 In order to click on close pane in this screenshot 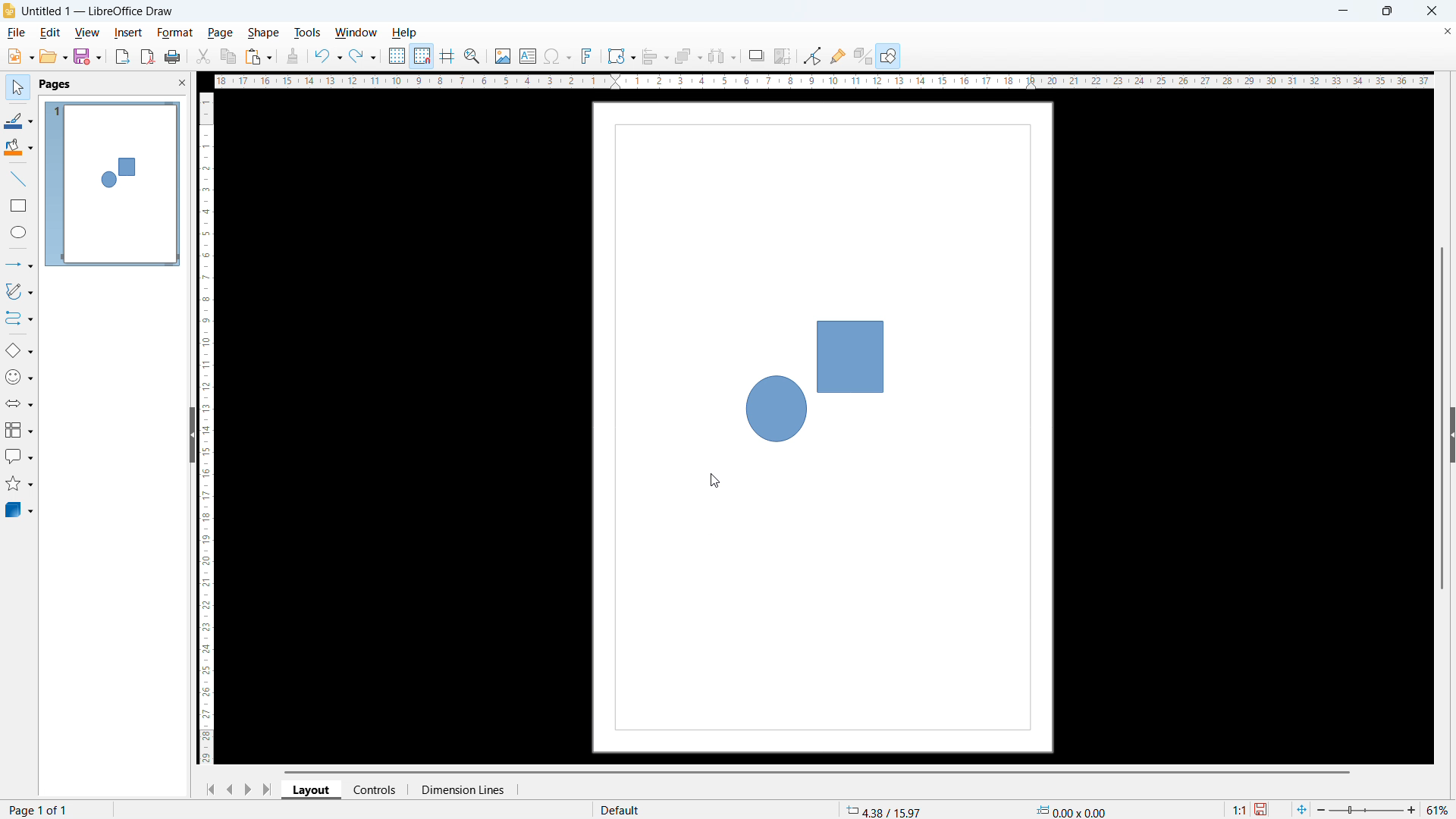, I will do `click(181, 83)`.